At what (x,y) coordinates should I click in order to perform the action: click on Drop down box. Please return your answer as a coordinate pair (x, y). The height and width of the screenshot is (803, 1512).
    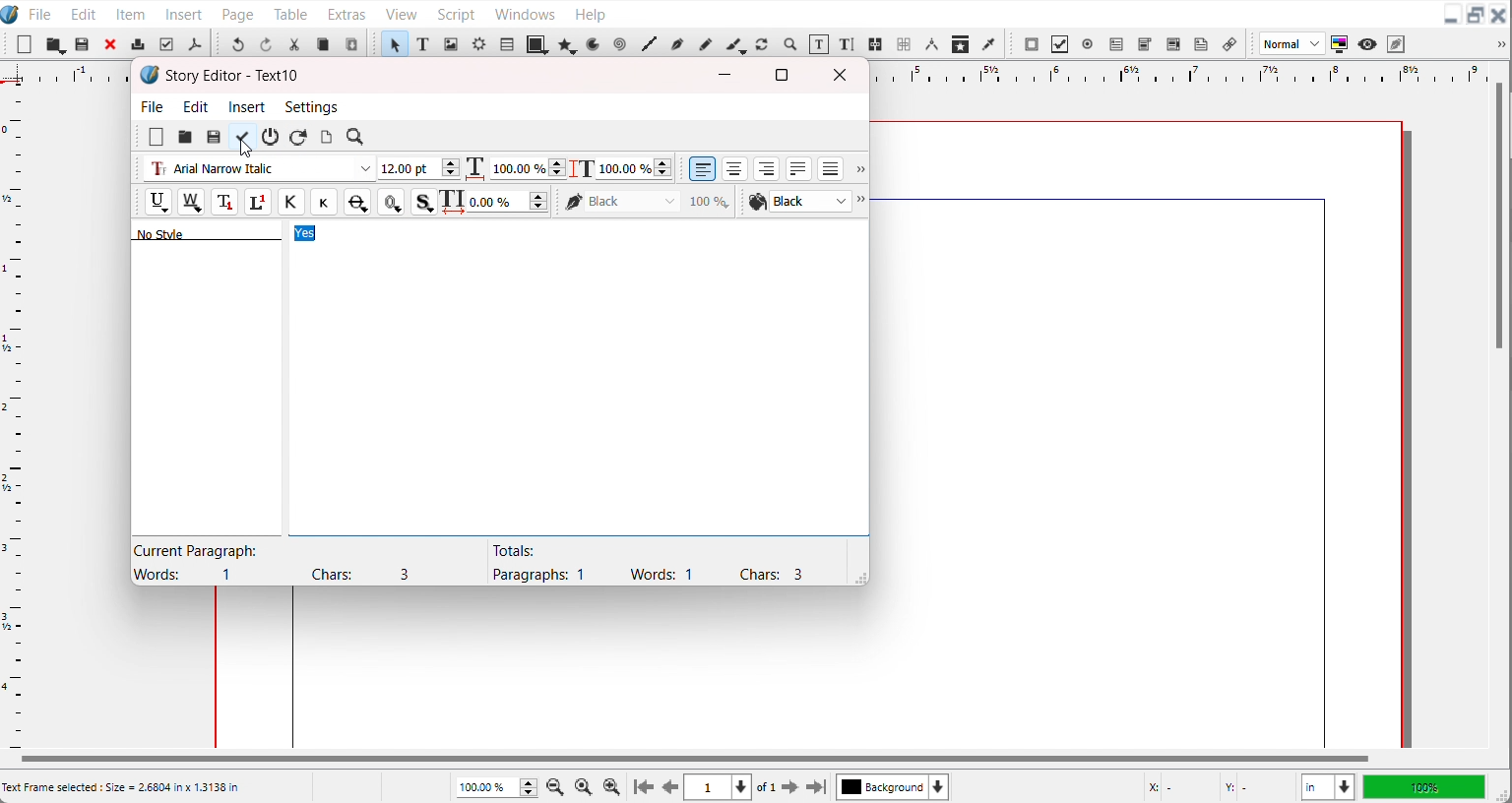
    Looking at the image, I should click on (863, 202).